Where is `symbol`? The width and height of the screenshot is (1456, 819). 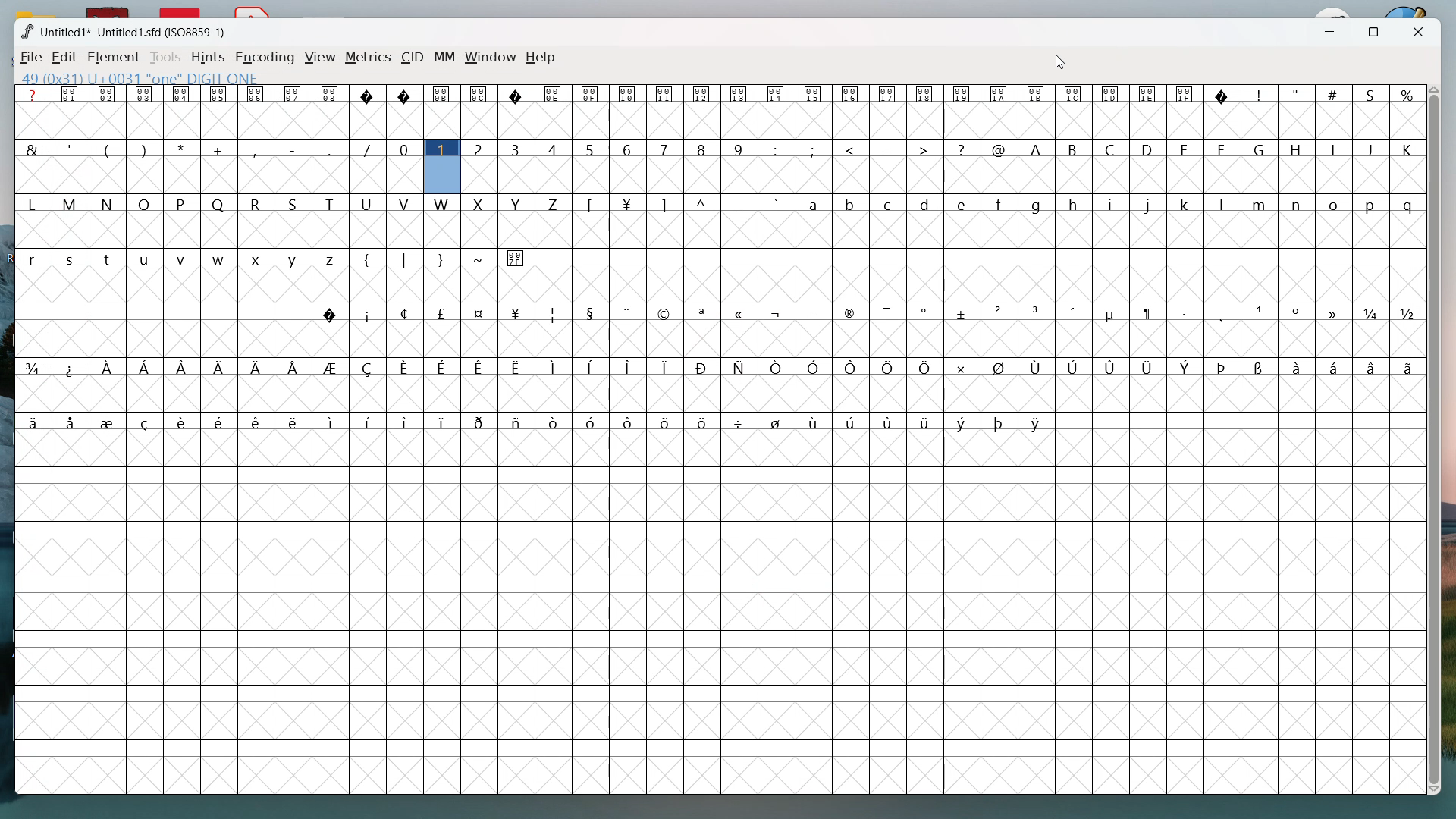 symbol is located at coordinates (1110, 366).